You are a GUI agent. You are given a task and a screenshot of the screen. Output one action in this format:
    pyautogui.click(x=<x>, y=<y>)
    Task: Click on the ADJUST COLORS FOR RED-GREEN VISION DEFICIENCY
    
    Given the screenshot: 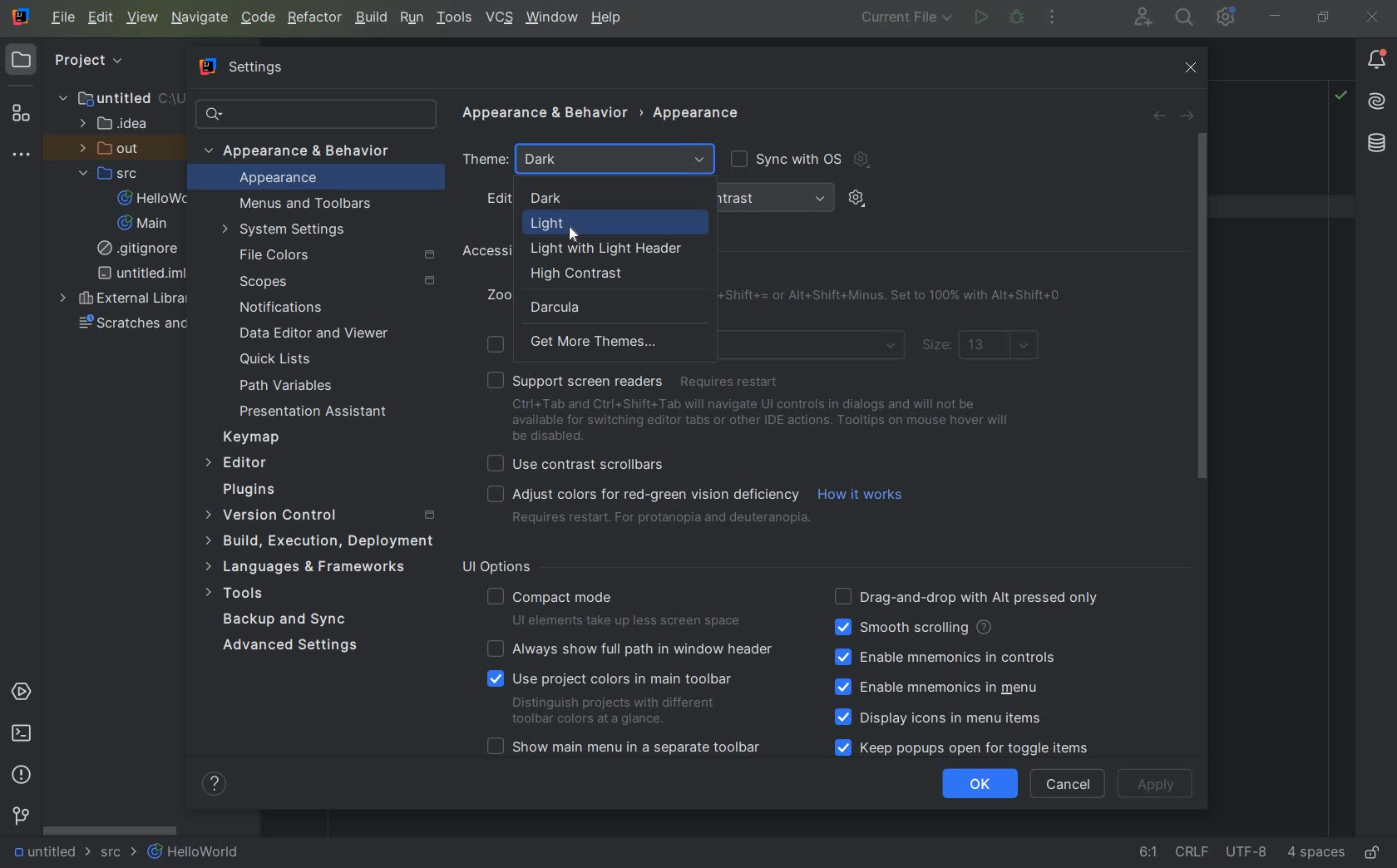 What is the action you would take?
    pyautogui.click(x=646, y=507)
    